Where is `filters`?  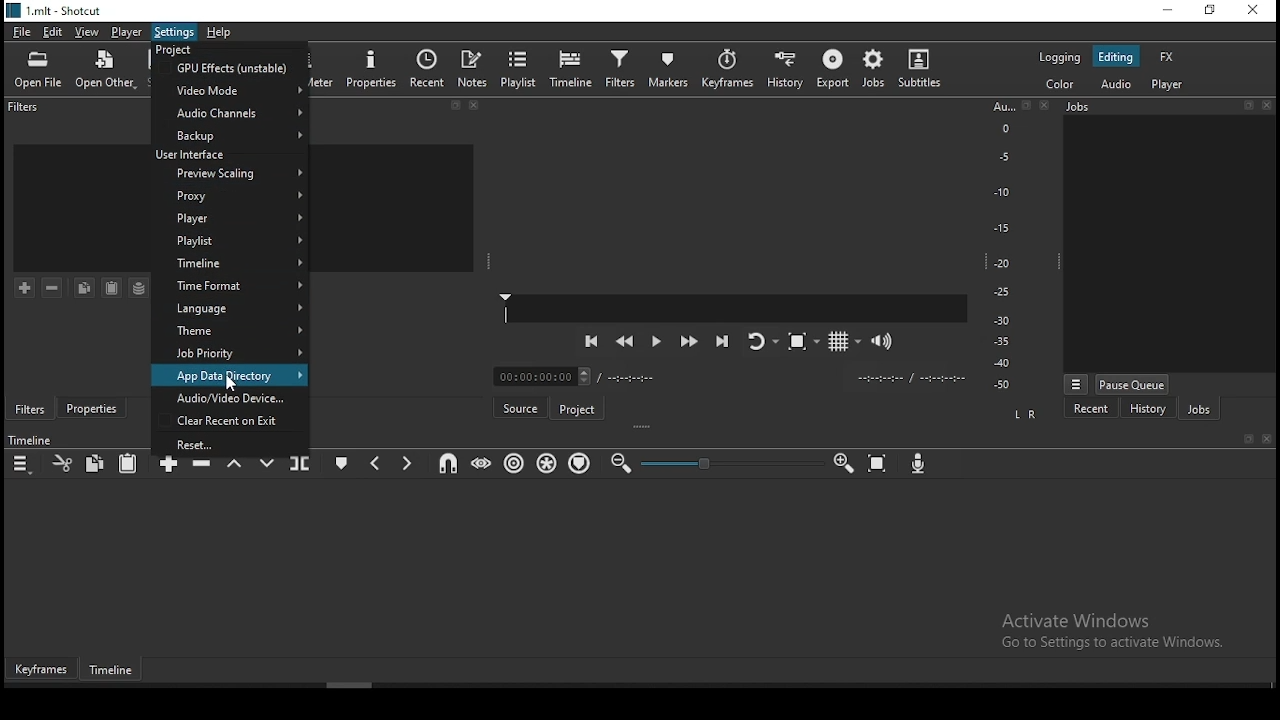
filters is located at coordinates (29, 408).